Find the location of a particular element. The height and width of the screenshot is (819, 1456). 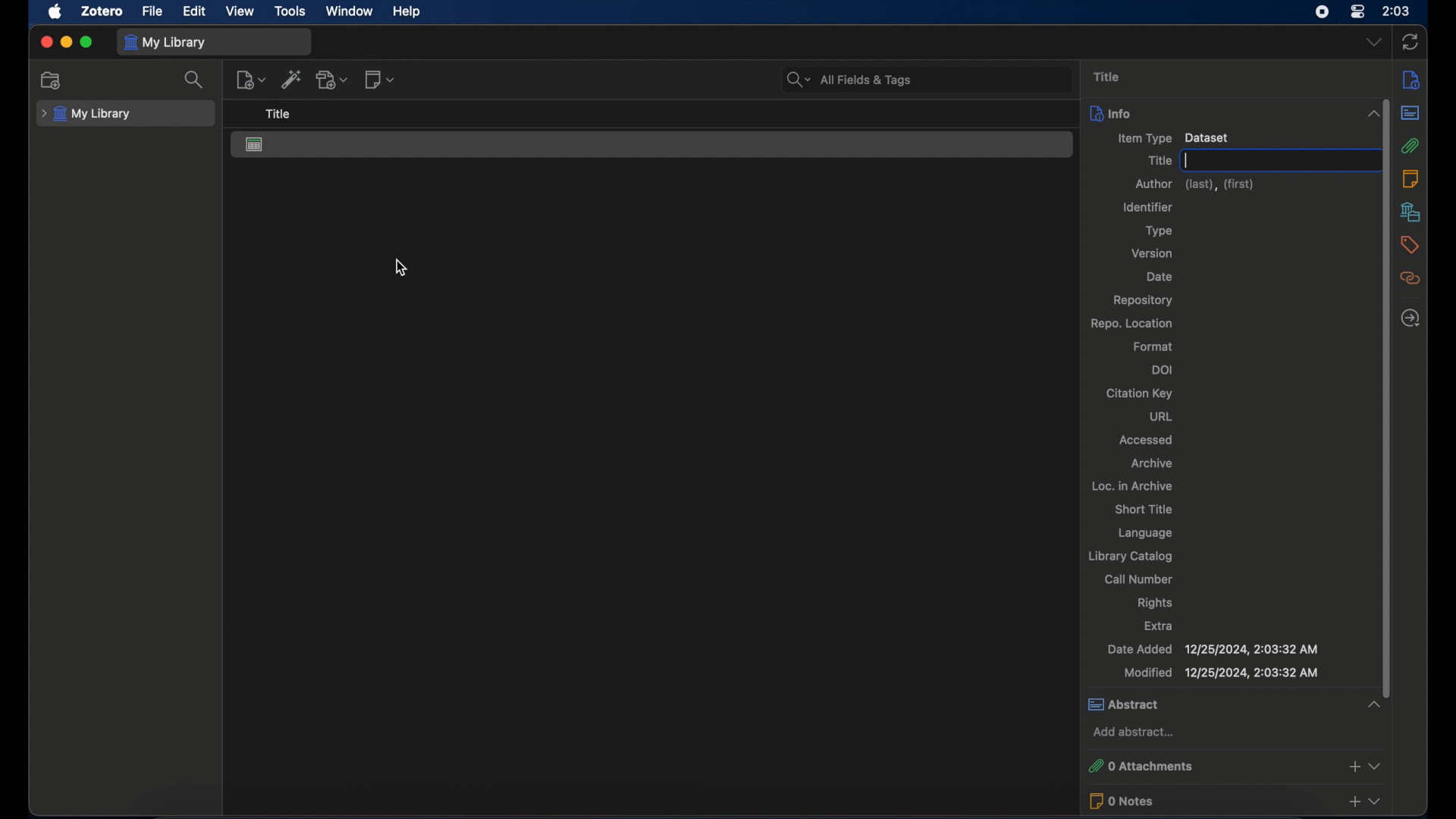

cursor is located at coordinates (400, 268).